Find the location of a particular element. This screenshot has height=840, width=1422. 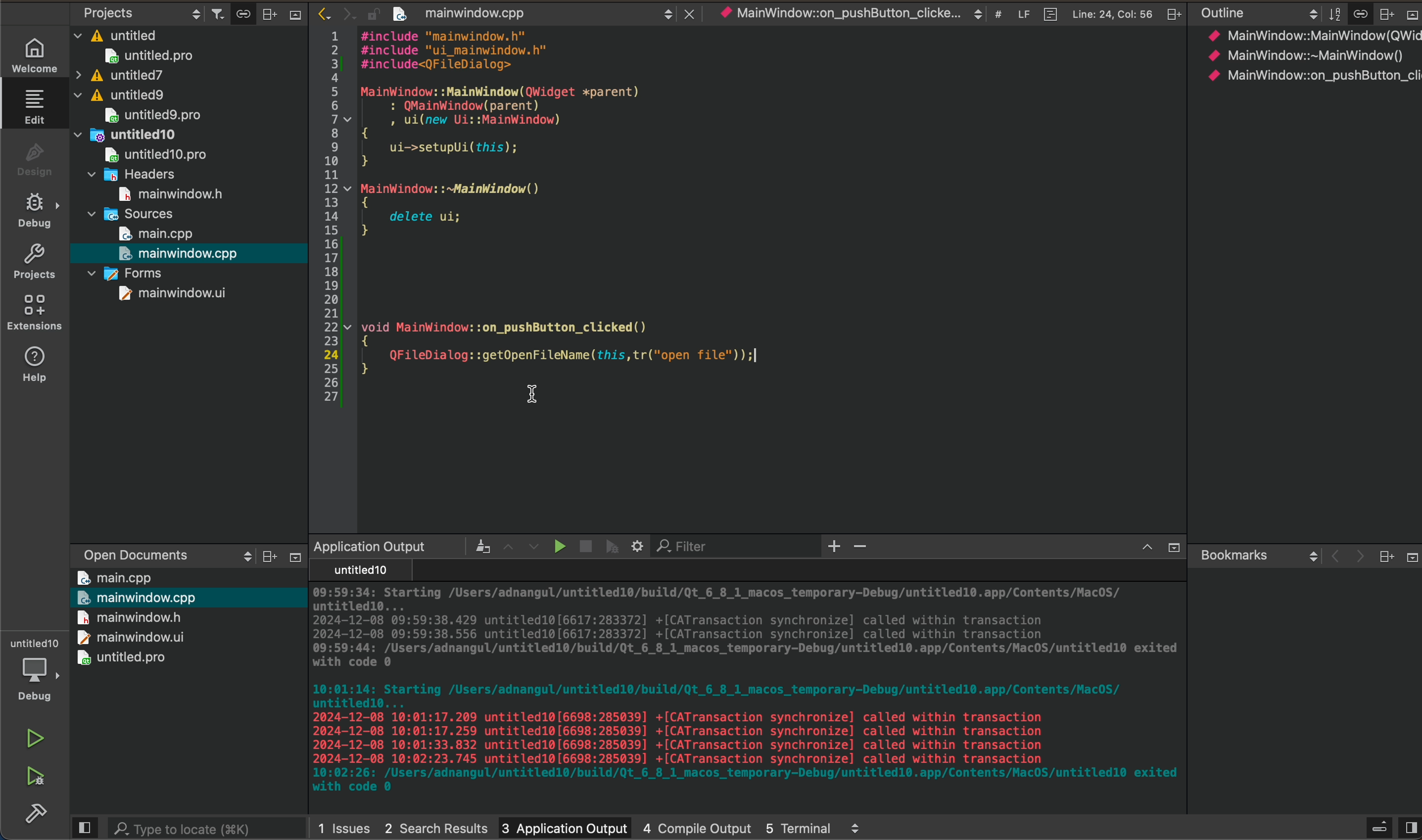

Sources is located at coordinates (132, 213).